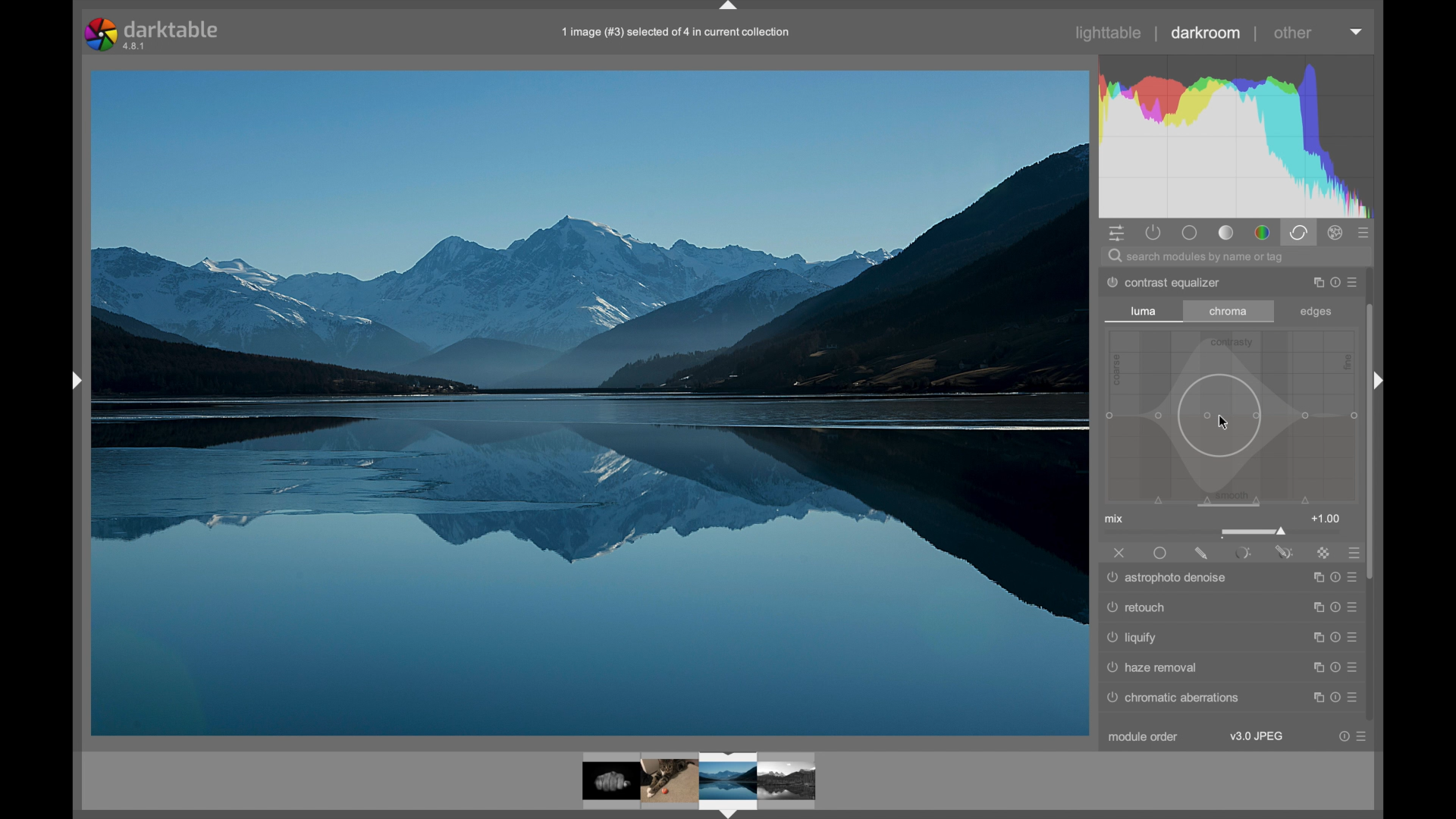  Describe the element at coordinates (1357, 32) in the screenshot. I see `dropdown` at that location.